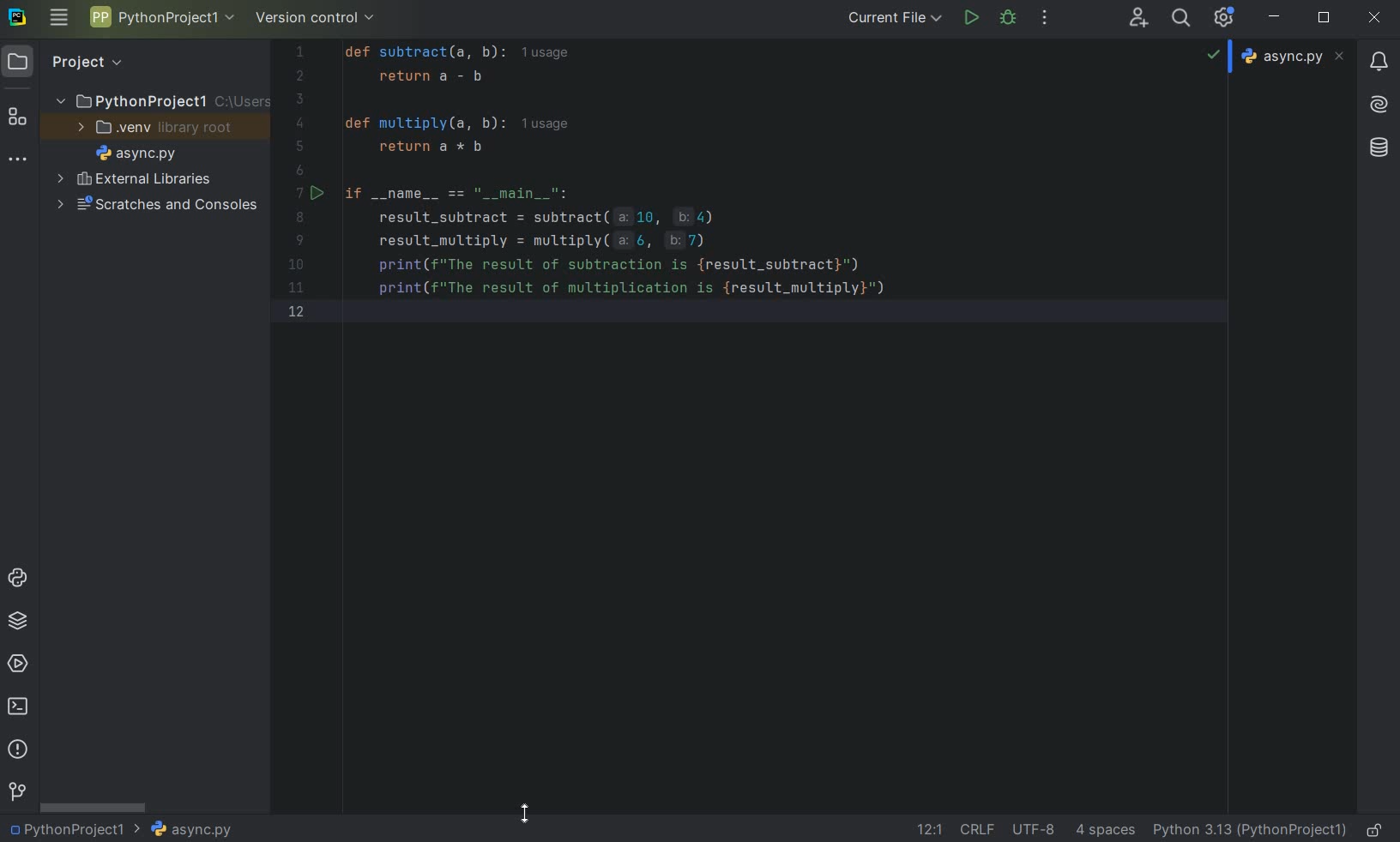  I want to click on python packages, so click(16, 622).